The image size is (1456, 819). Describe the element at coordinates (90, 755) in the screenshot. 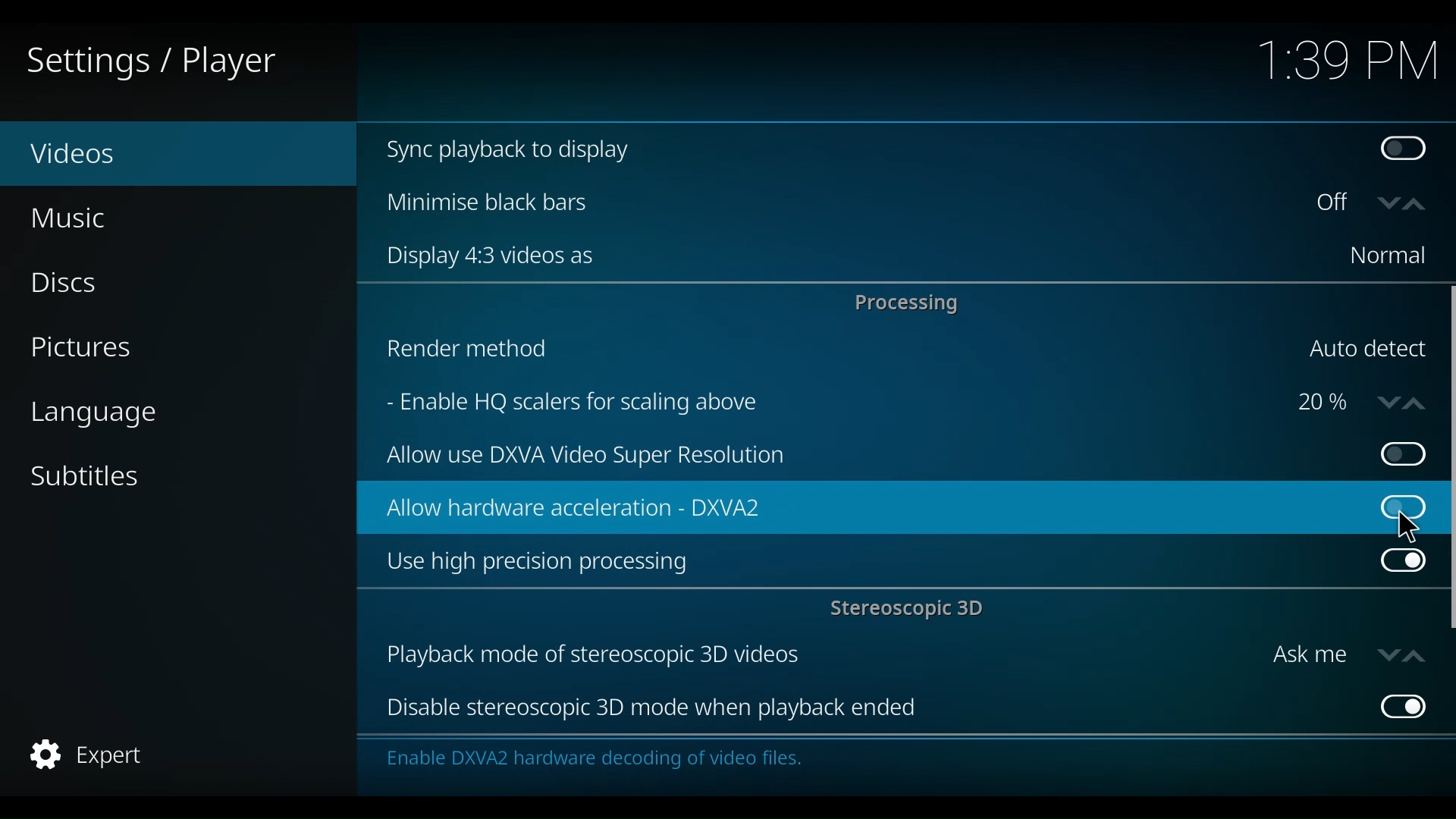

I see `Expert` at that location.